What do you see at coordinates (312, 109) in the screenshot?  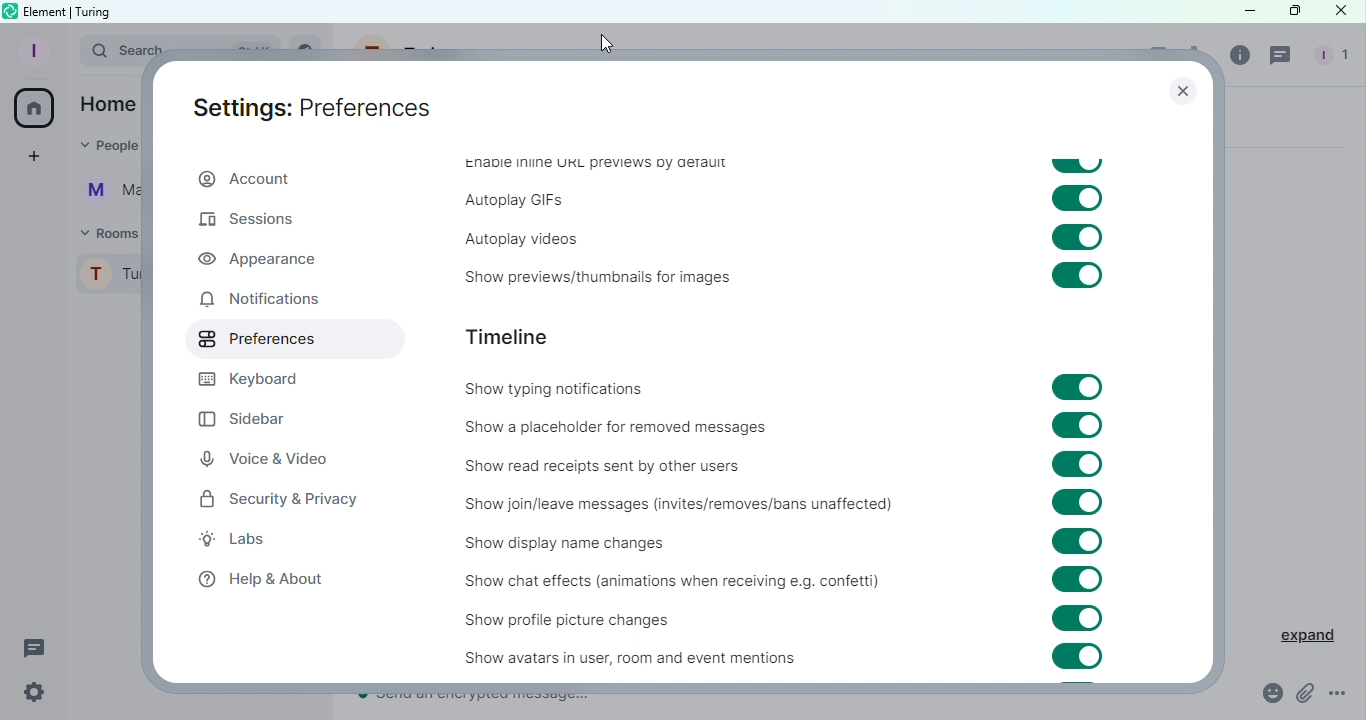 I see `Settings: Preferences` at bounding box center [312, 109].